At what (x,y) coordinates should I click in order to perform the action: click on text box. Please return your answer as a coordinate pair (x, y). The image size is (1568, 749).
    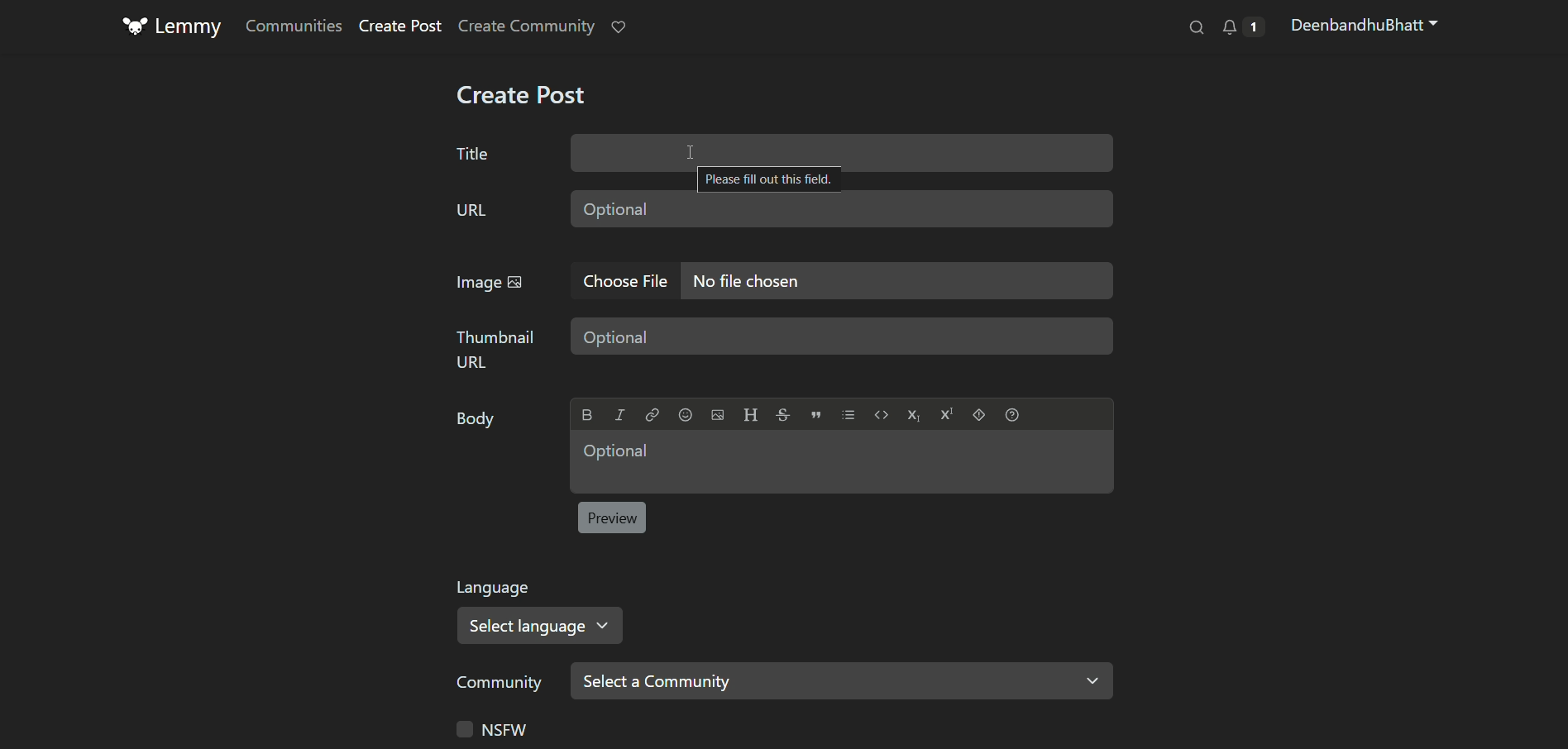
    Looking at the image, I should click on (844, 337).